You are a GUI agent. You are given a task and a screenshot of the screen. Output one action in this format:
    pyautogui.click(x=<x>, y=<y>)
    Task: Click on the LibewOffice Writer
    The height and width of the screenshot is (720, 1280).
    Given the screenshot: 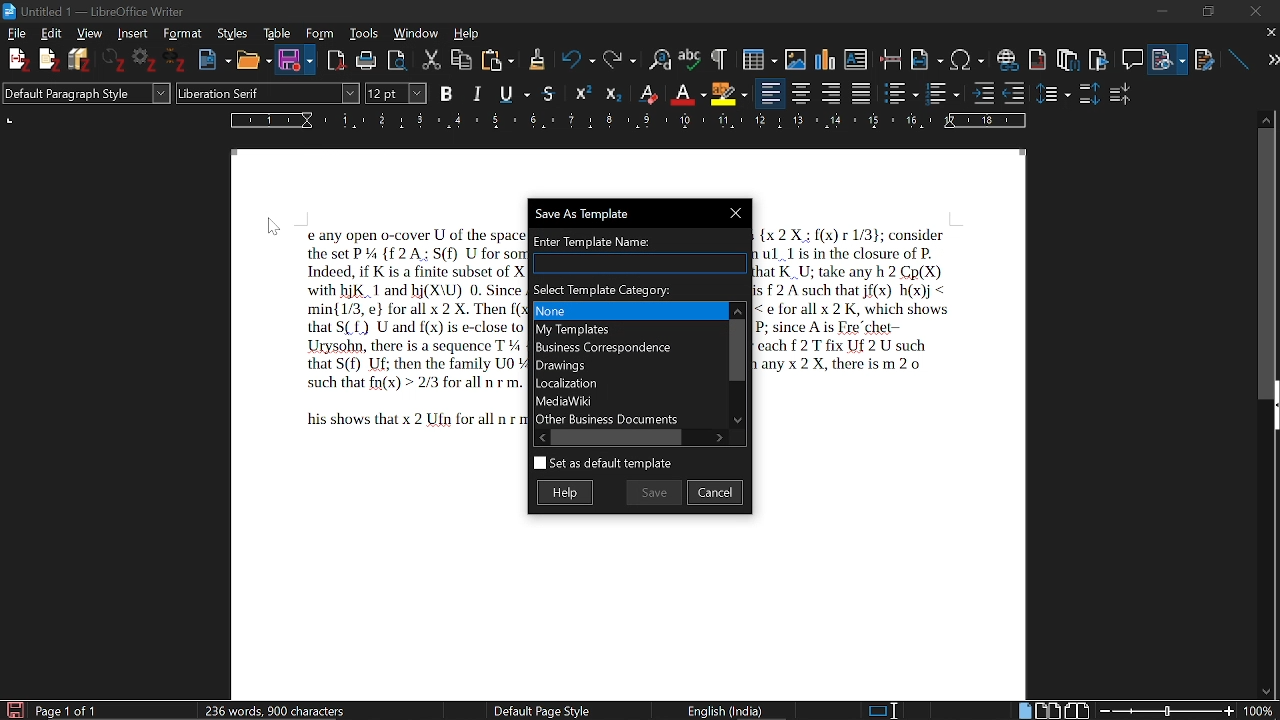 What is the action you would take?
    pyautogui.click(x=9, y=10)
    